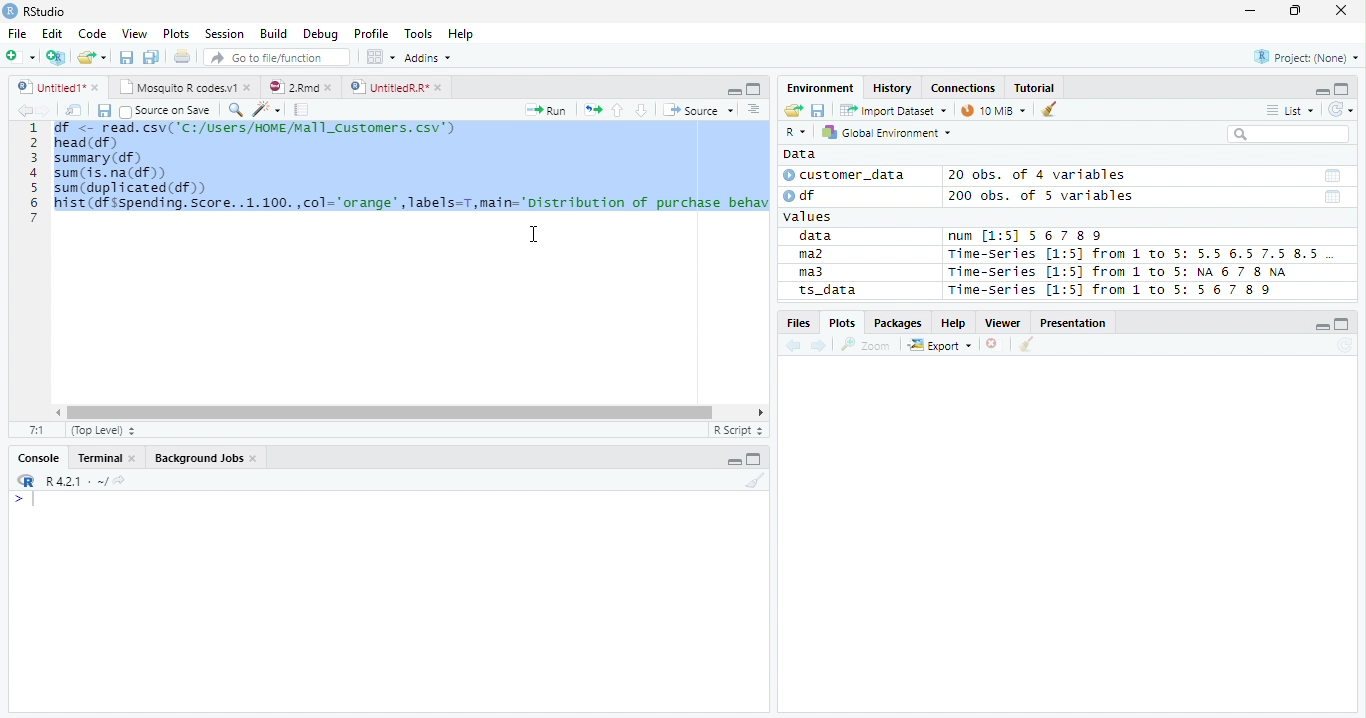 The image size is (1366, 718). Describe the element at coordinates (422, 32) in the screenshot. I see `Tools` at that location.